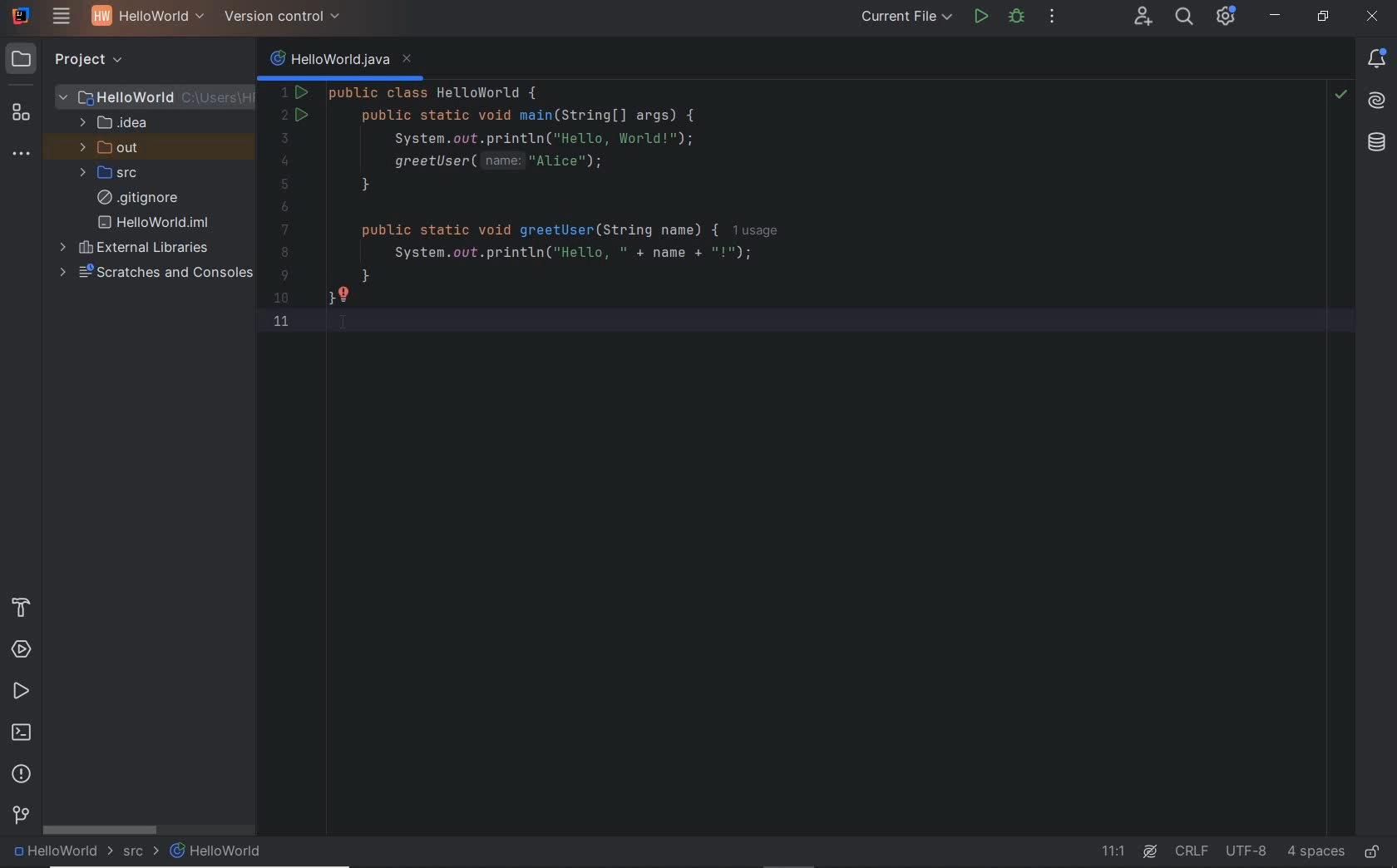  I want to click on src, so click(137, 852).